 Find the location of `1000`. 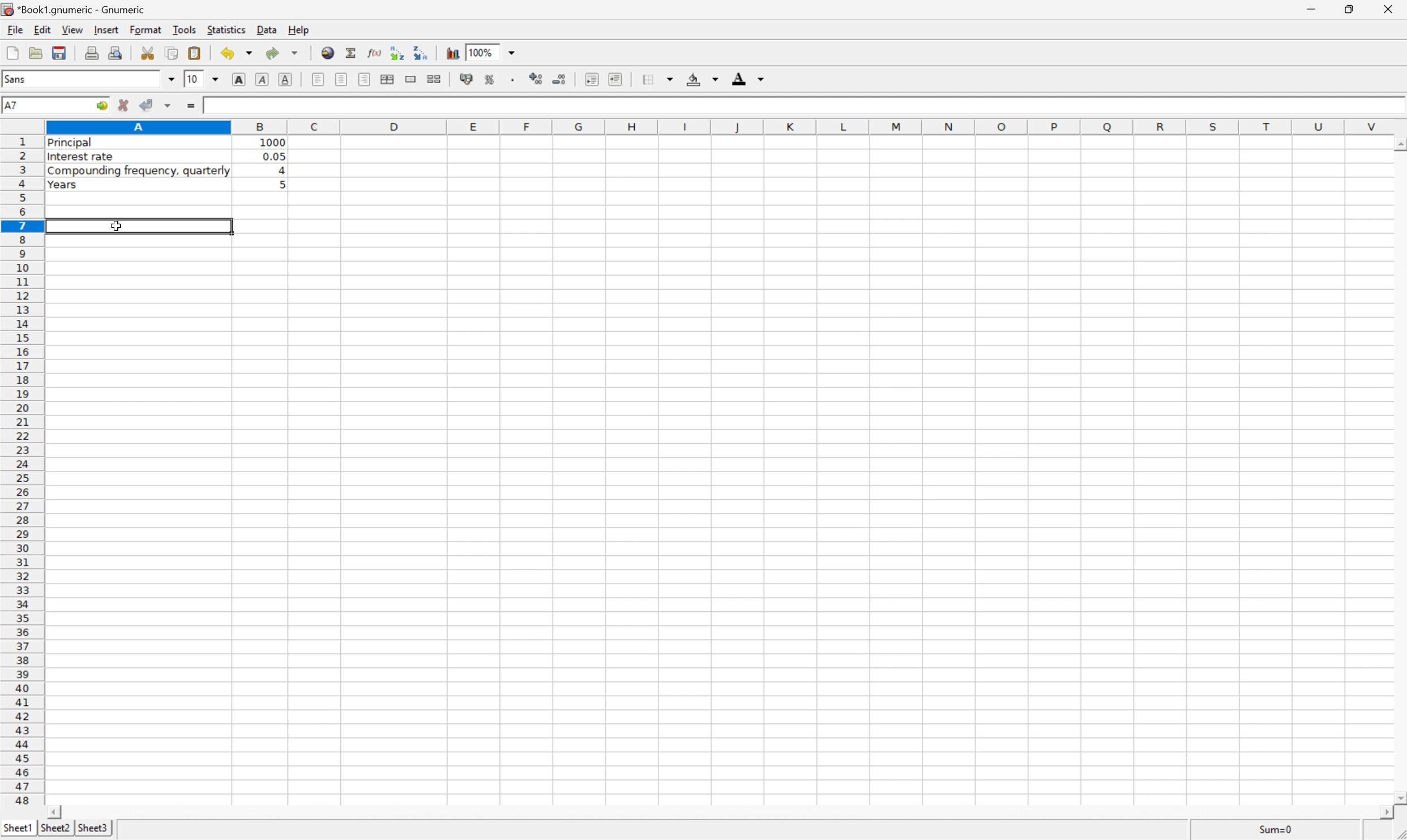

1000 is located at coordinates (275, 143).